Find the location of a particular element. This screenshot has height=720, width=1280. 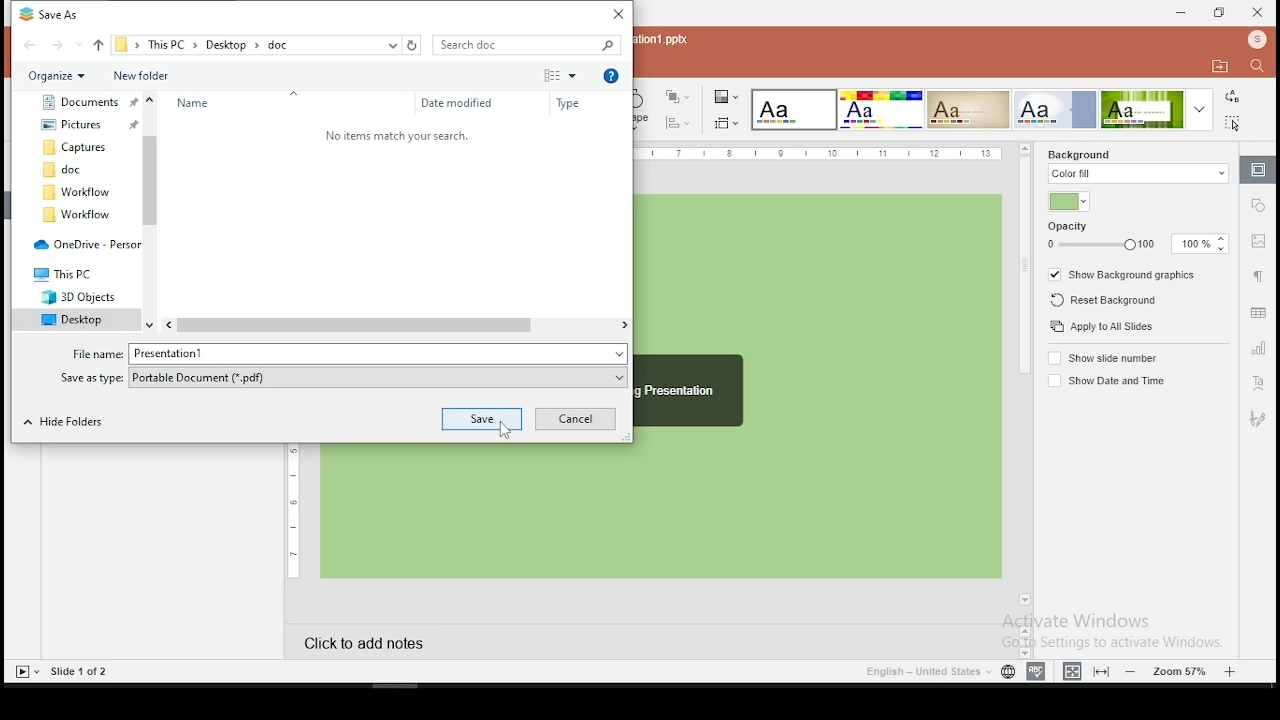

doc is located at coordinates (76, 170).